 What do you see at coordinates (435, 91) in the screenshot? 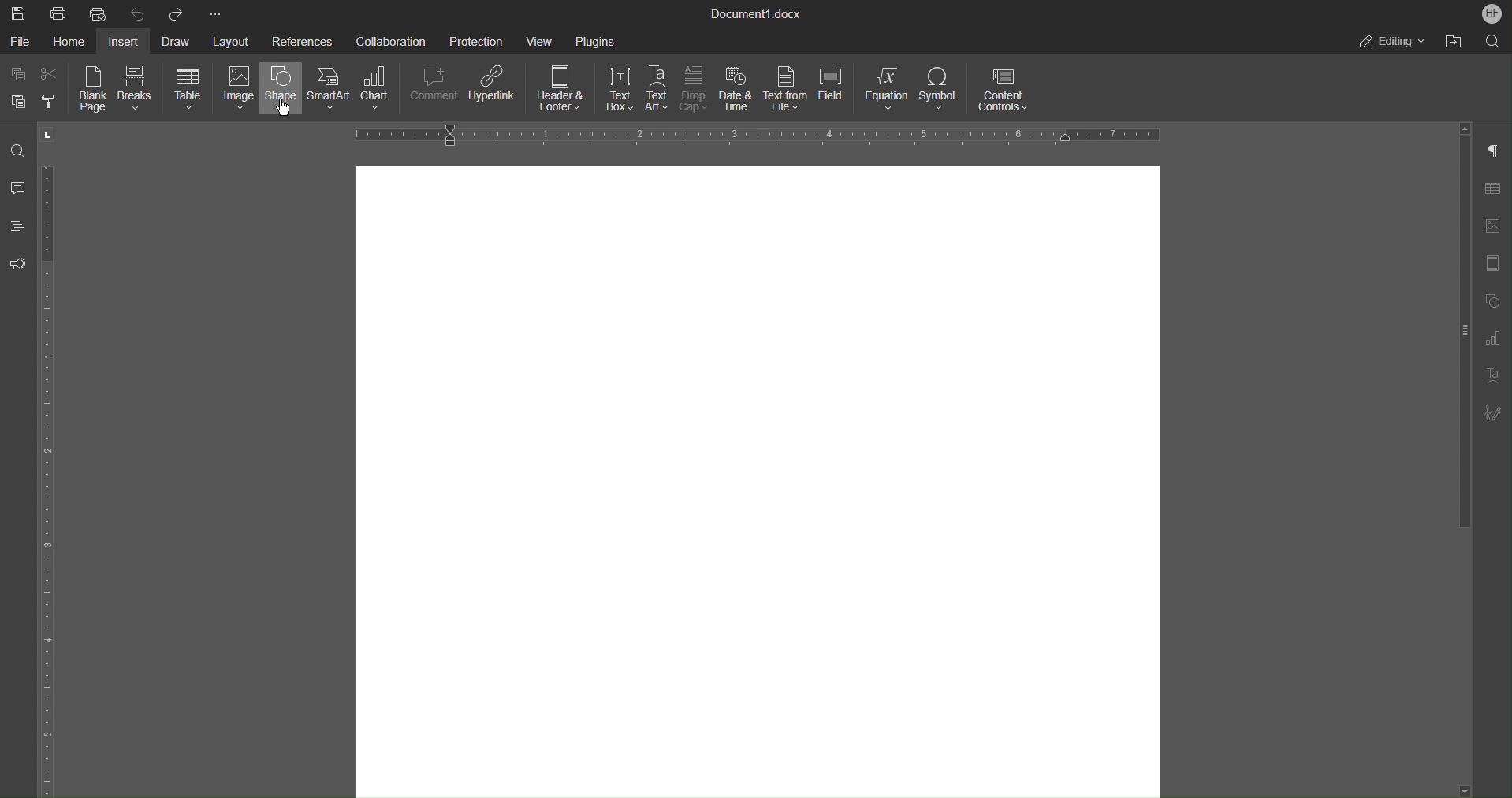
I see `Comment` at bounding box center [435, 91].